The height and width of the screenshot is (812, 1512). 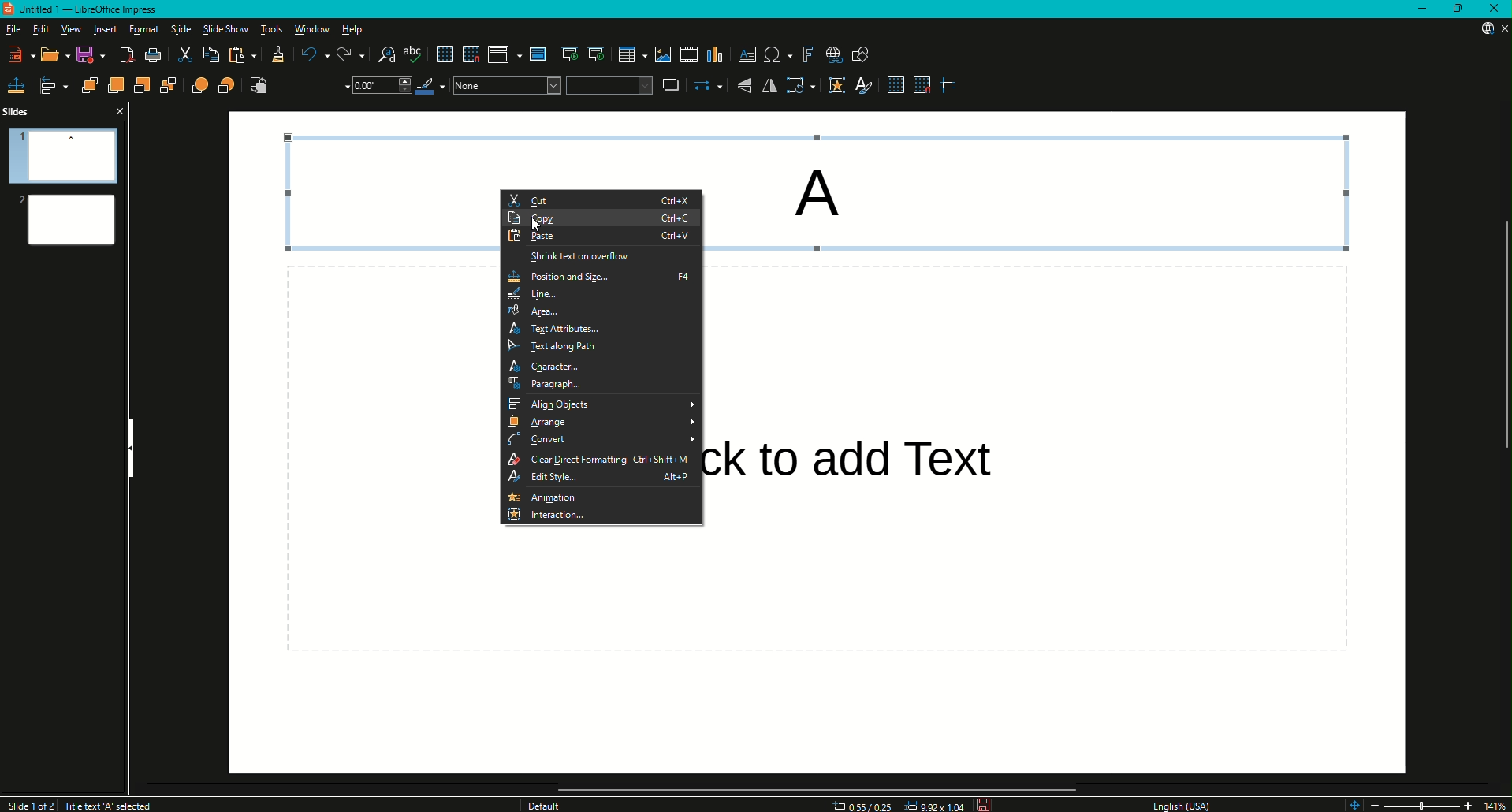 What do you see at coordinates (803, 87) in the screenshot?
I see `Transformations` at bounding box center [803, 87].